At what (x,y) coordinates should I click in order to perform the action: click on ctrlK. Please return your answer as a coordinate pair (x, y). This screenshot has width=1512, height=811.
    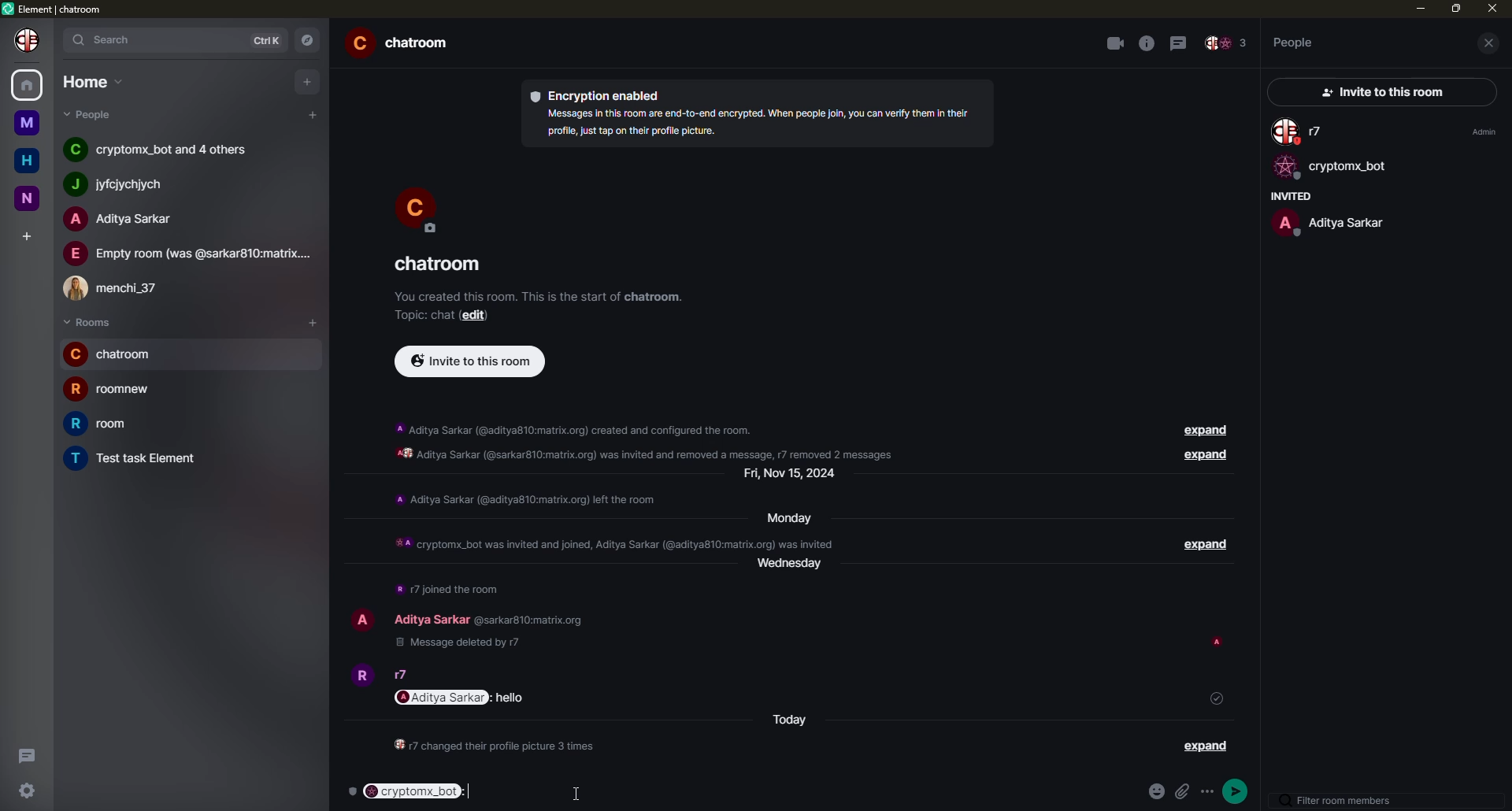
    Looking at the image, I should click on (267, 41).